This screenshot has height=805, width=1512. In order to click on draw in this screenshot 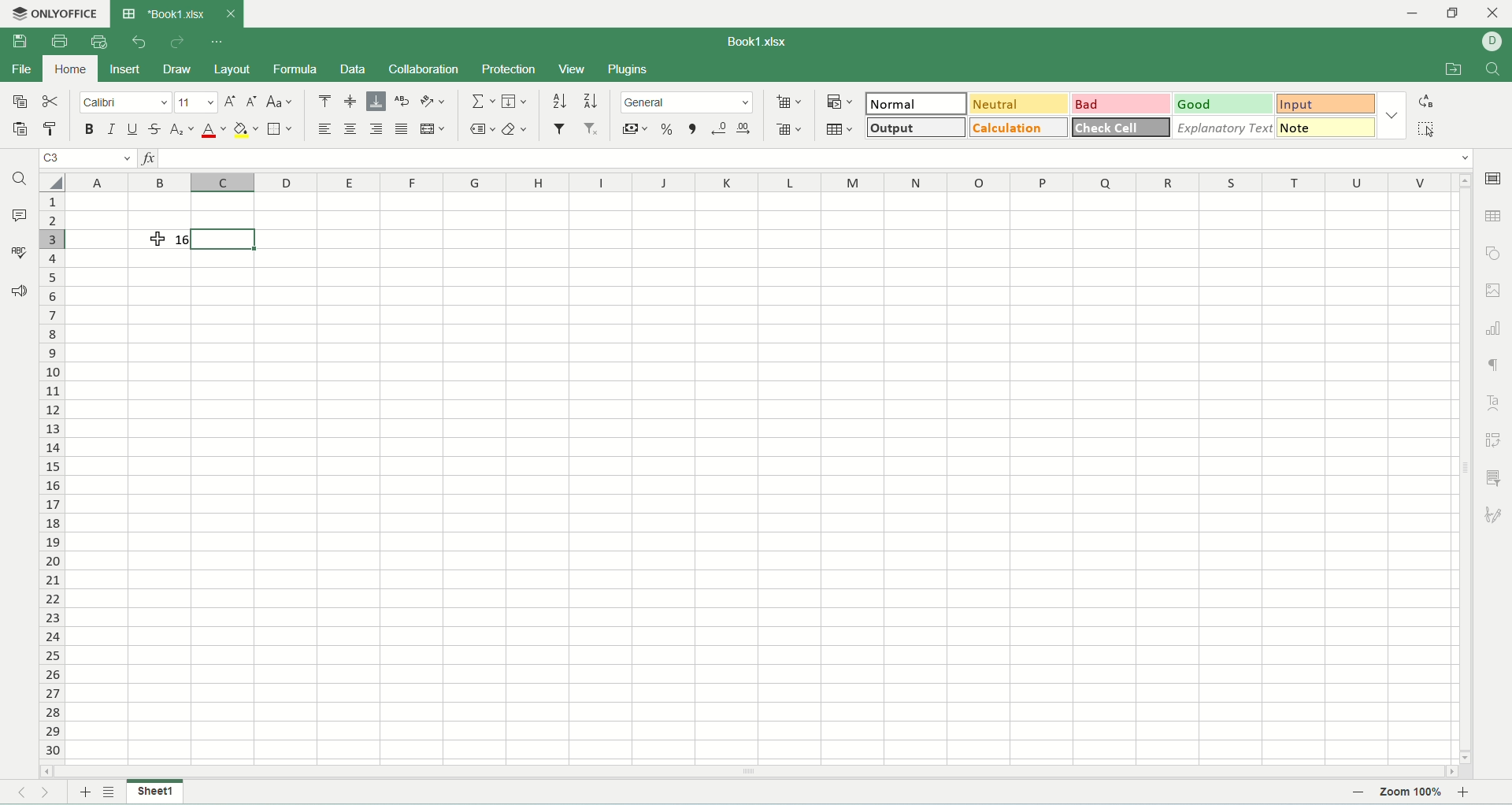, I will do `click(176, 69)`.